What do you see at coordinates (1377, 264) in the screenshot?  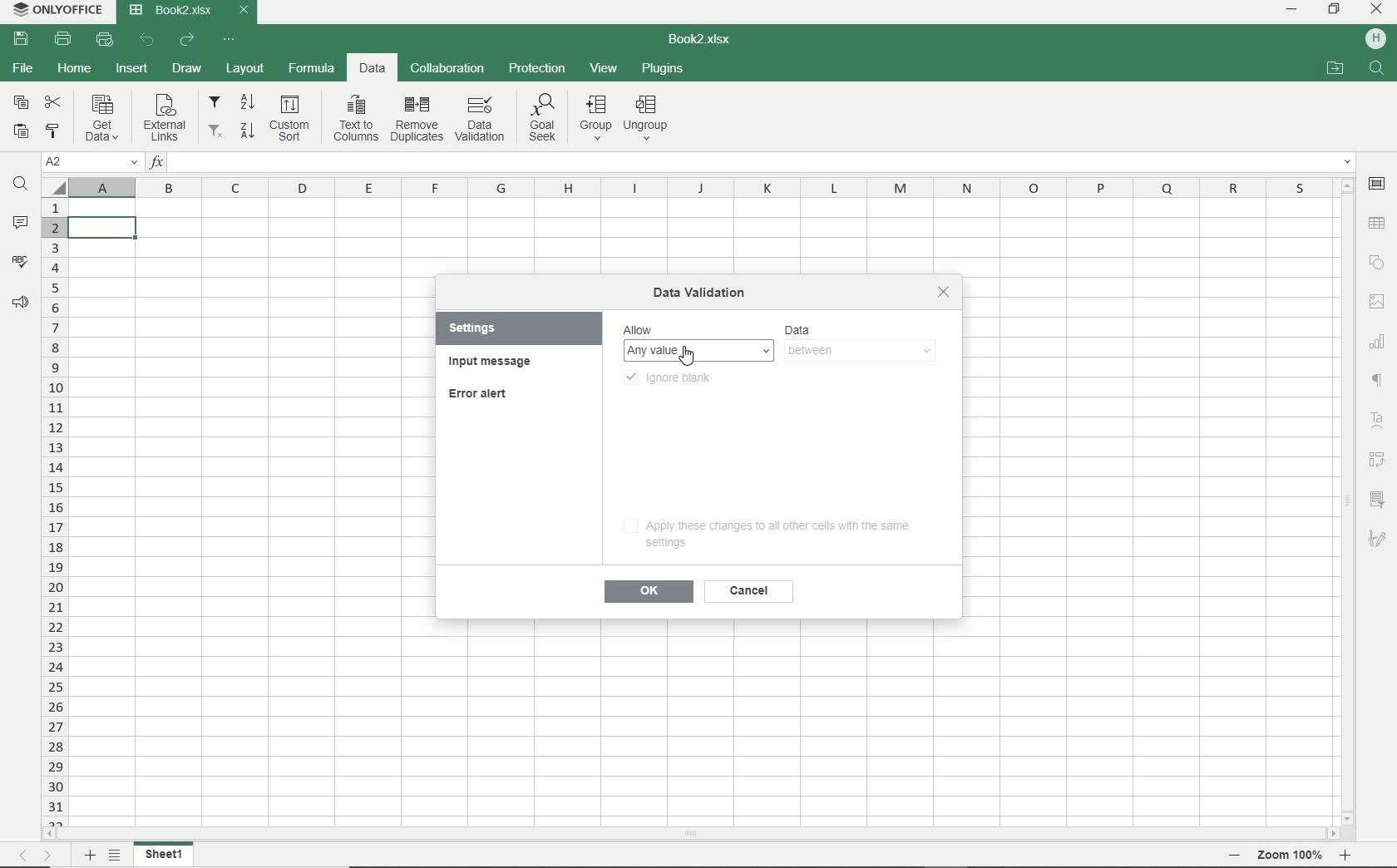 I see `SHAPE` at bounding box center [1377, 264].